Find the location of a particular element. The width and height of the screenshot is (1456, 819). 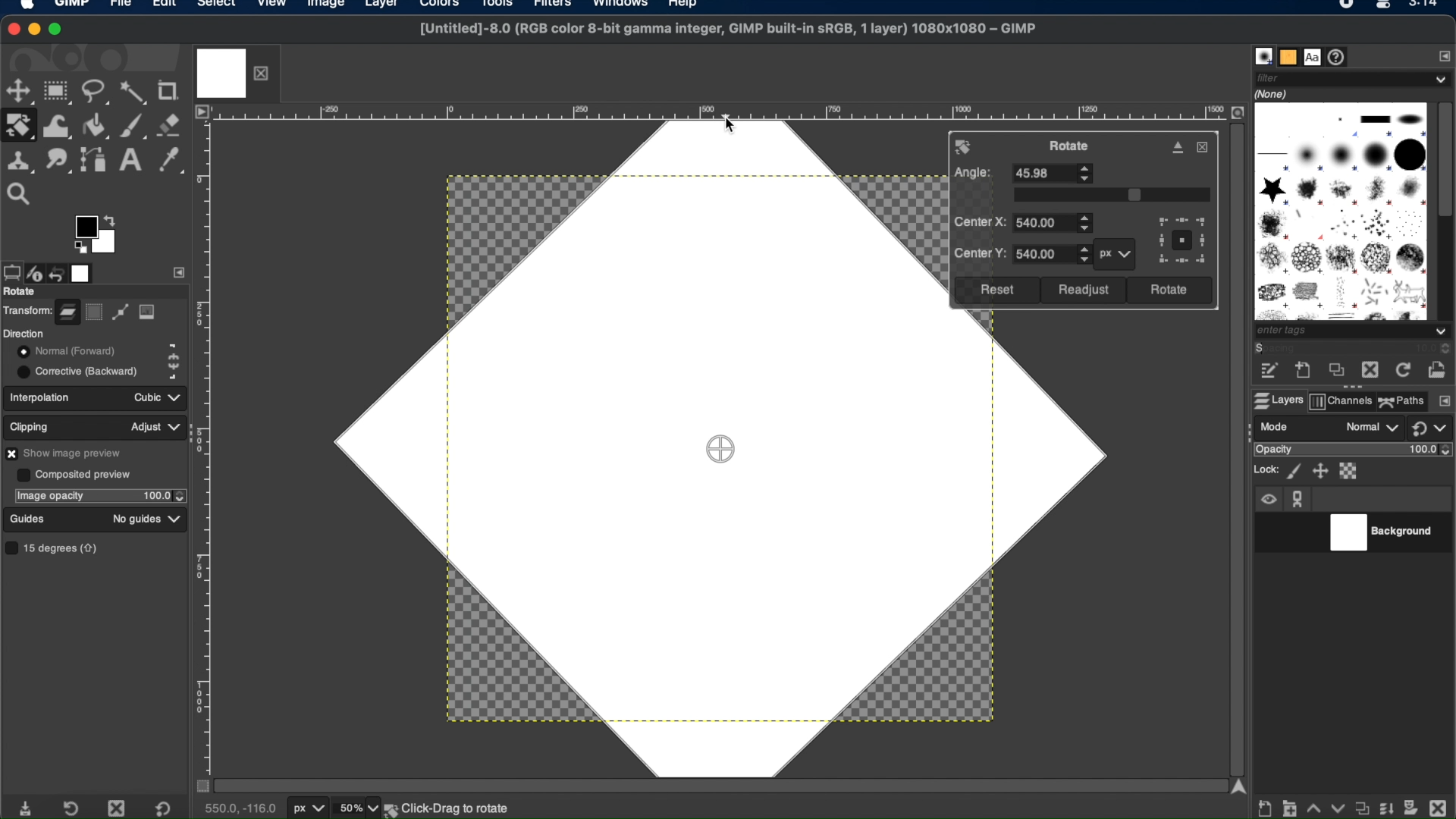

raise this layer is located at coordinates (1313, 805).